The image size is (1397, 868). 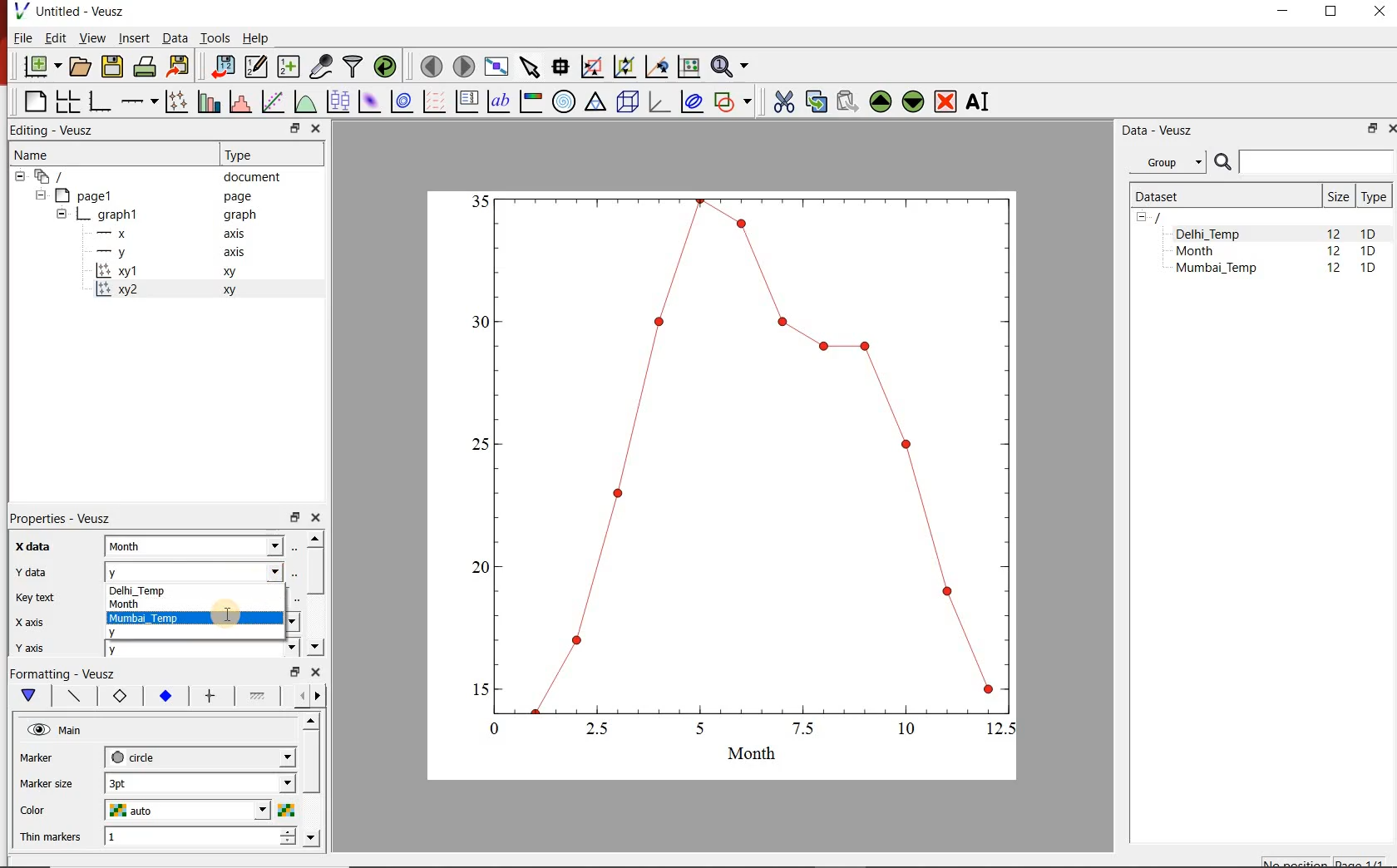 What do you see at coordinates (1216, 269) in the screenshot?
I see `Mumbai_Temp` at bounding box center [1216, 269].